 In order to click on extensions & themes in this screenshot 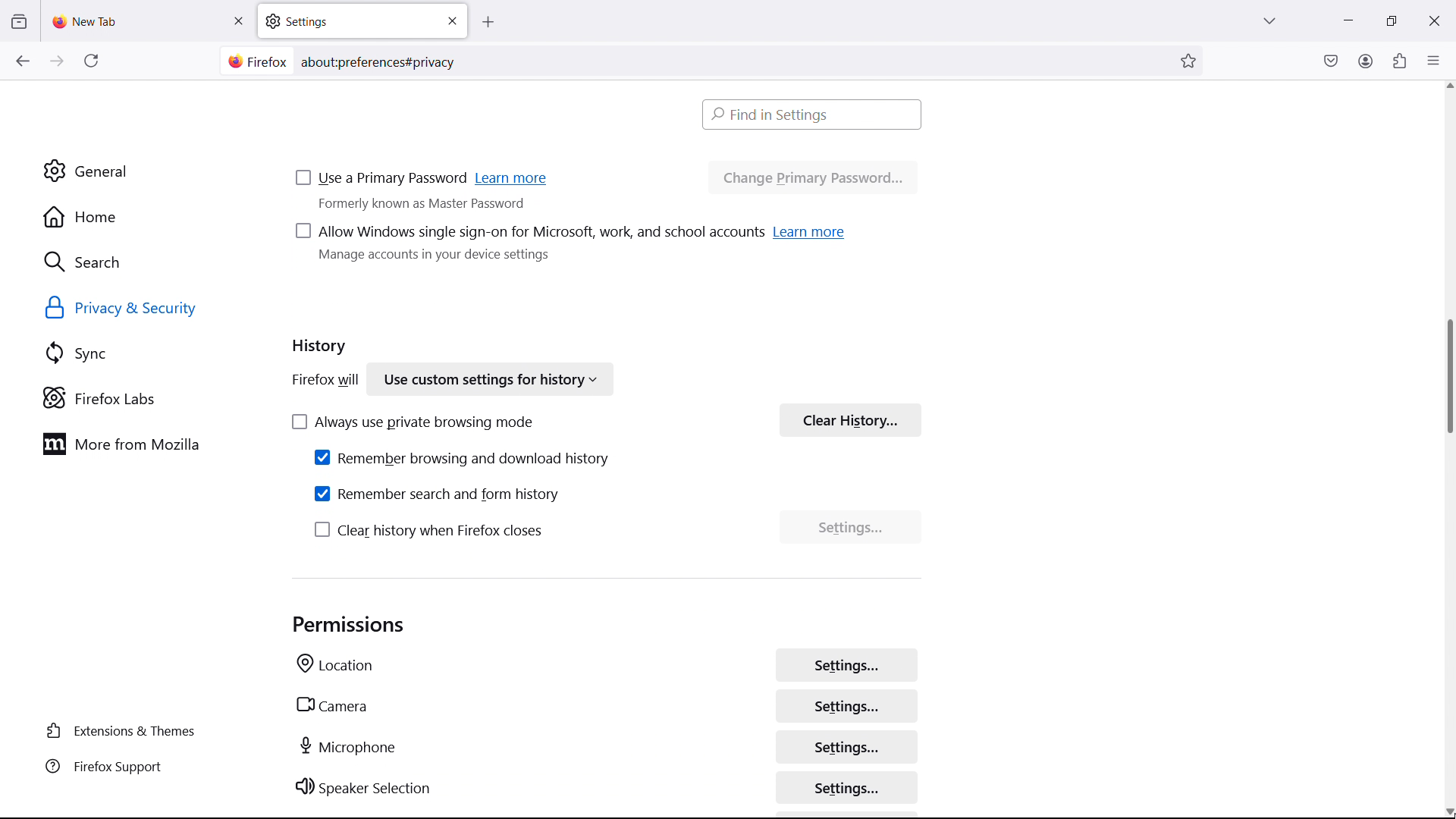, I will do `click(124, 731)`.